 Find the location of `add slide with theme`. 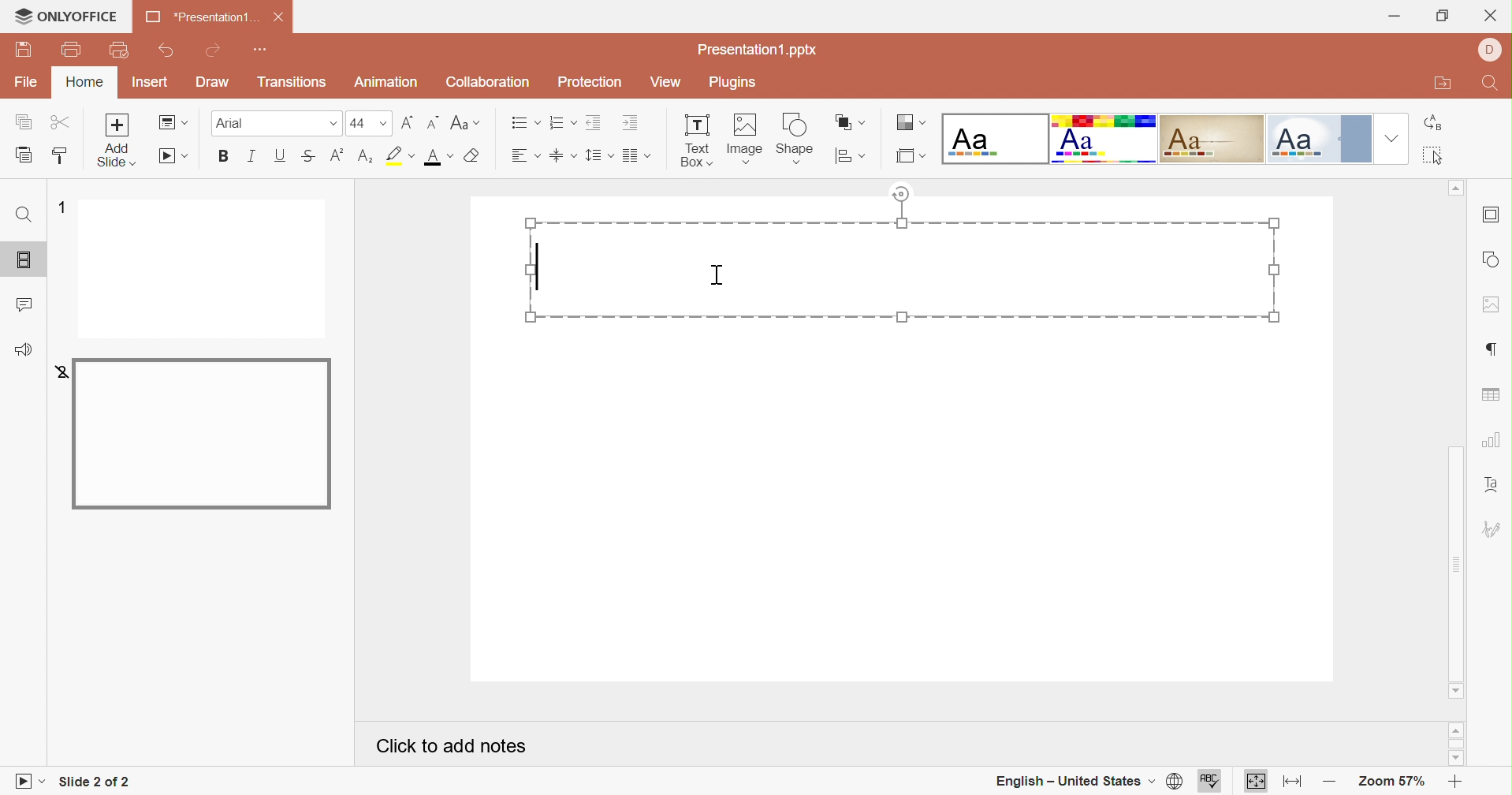

add slide with theme is located at coordinates (117, 155).